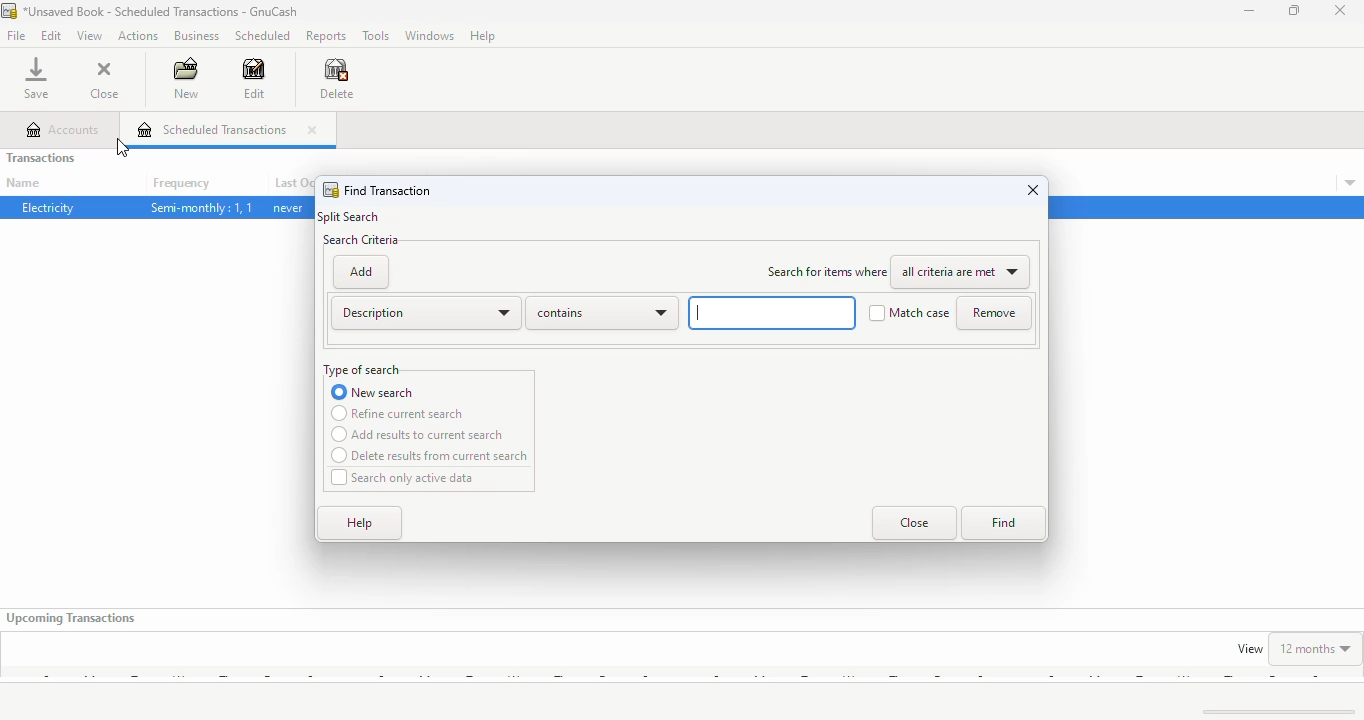 The width and height of the screenshot is (1364, 720). Describe the element at coordinates (181, 184) in the screenshot. I see `frequency` at that location.